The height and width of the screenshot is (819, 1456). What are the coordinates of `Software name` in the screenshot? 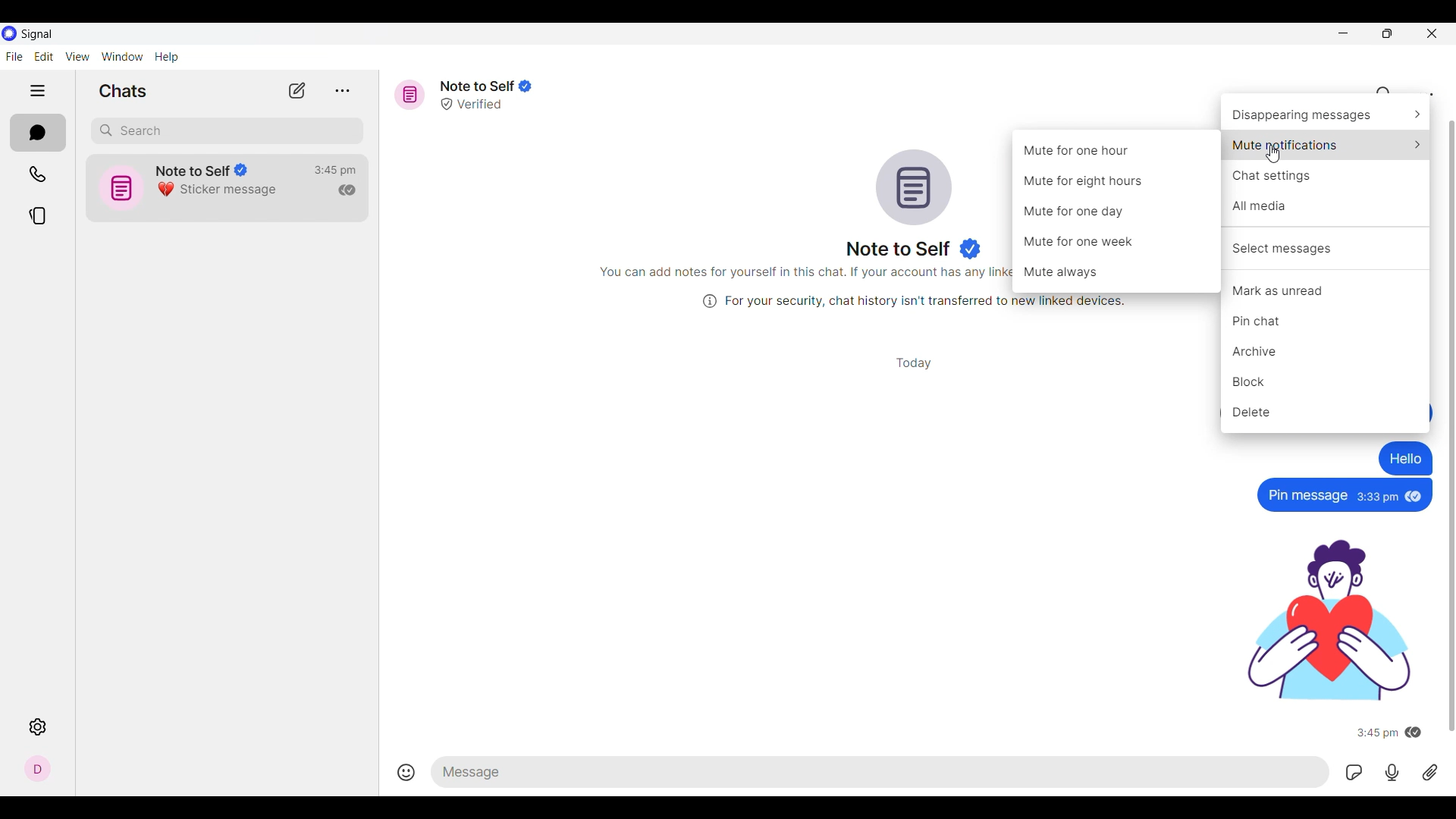 It's located at (36, 34).